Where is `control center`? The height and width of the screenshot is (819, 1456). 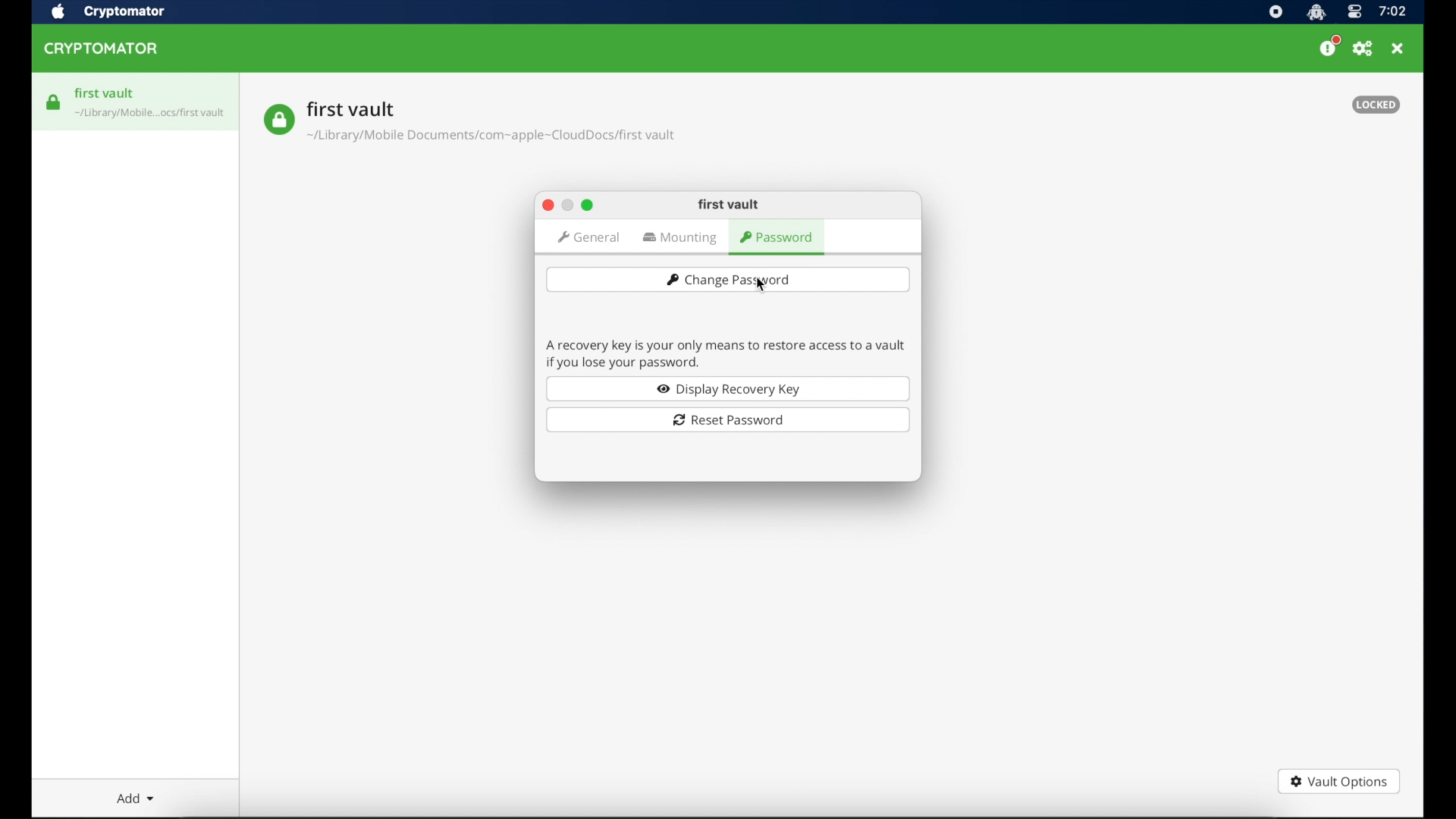 control center is located at coordinates (1354, 13).